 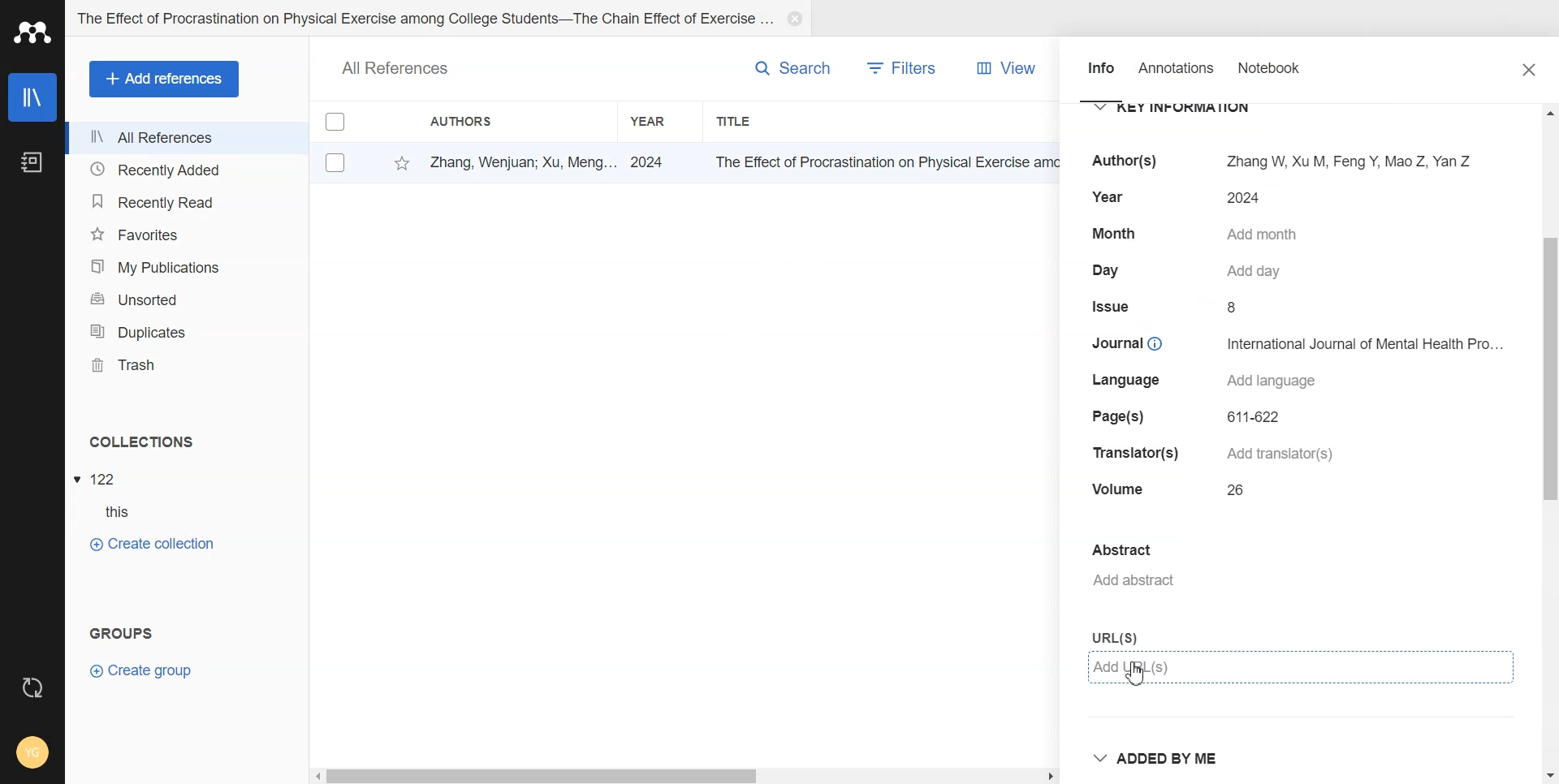 I want to click on Issue 8, so click(x=1170, y=308).